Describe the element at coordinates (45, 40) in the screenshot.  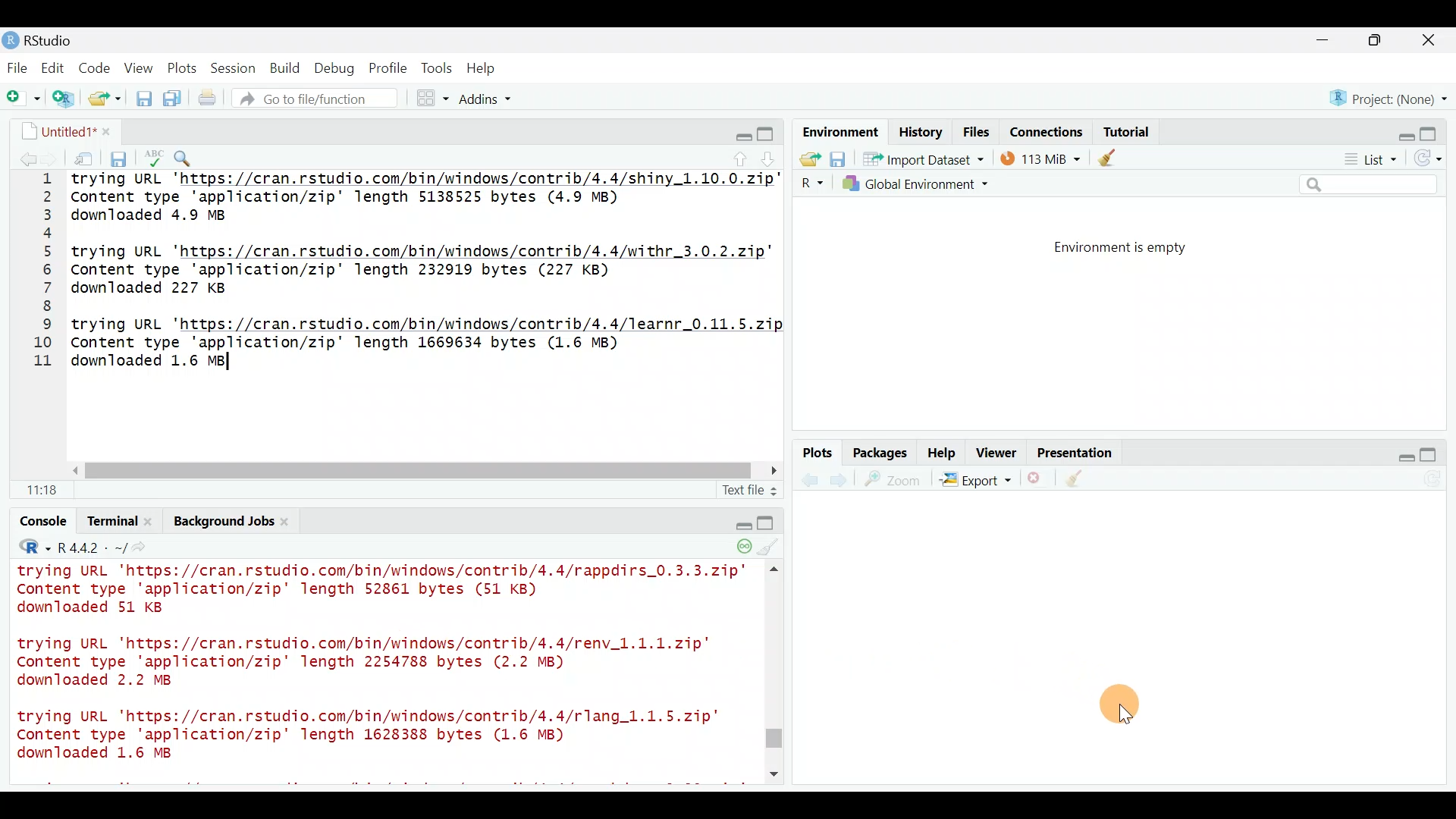
I see `RStudio` at that location.